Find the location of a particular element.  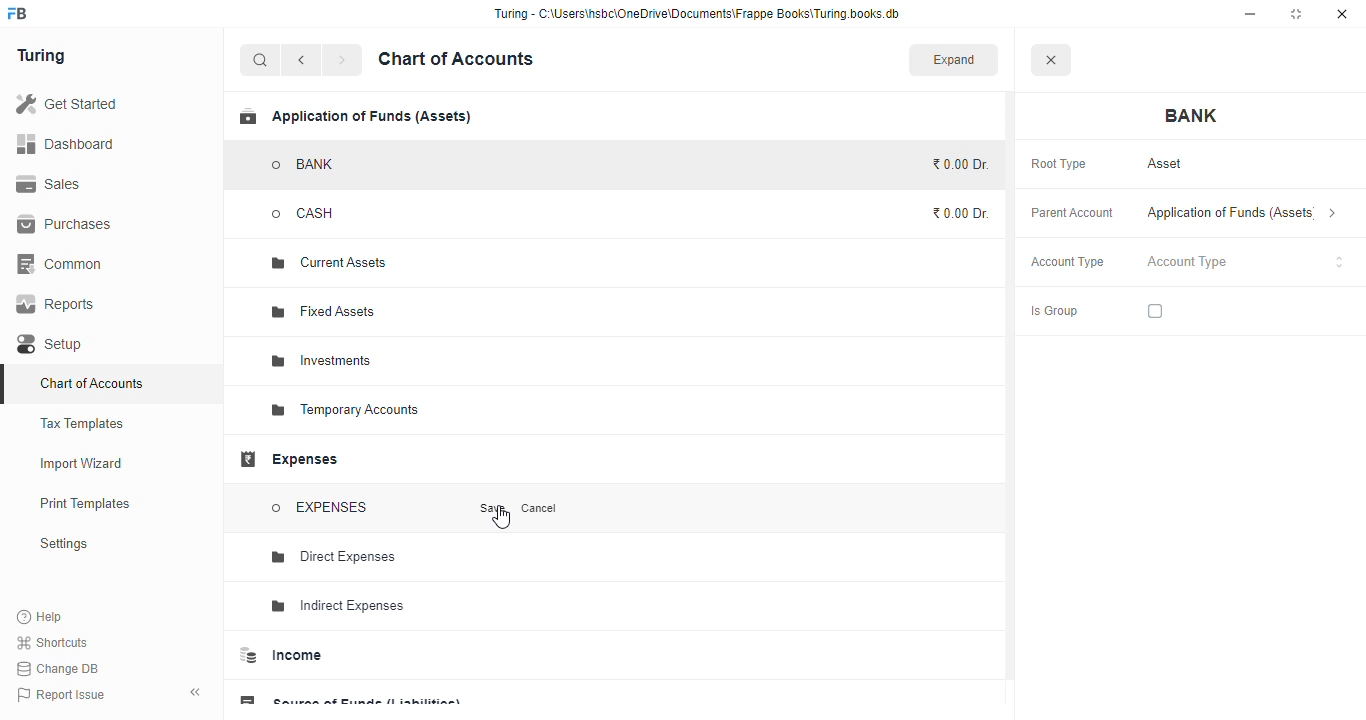

BANK  is located at coordinates (304, 165).